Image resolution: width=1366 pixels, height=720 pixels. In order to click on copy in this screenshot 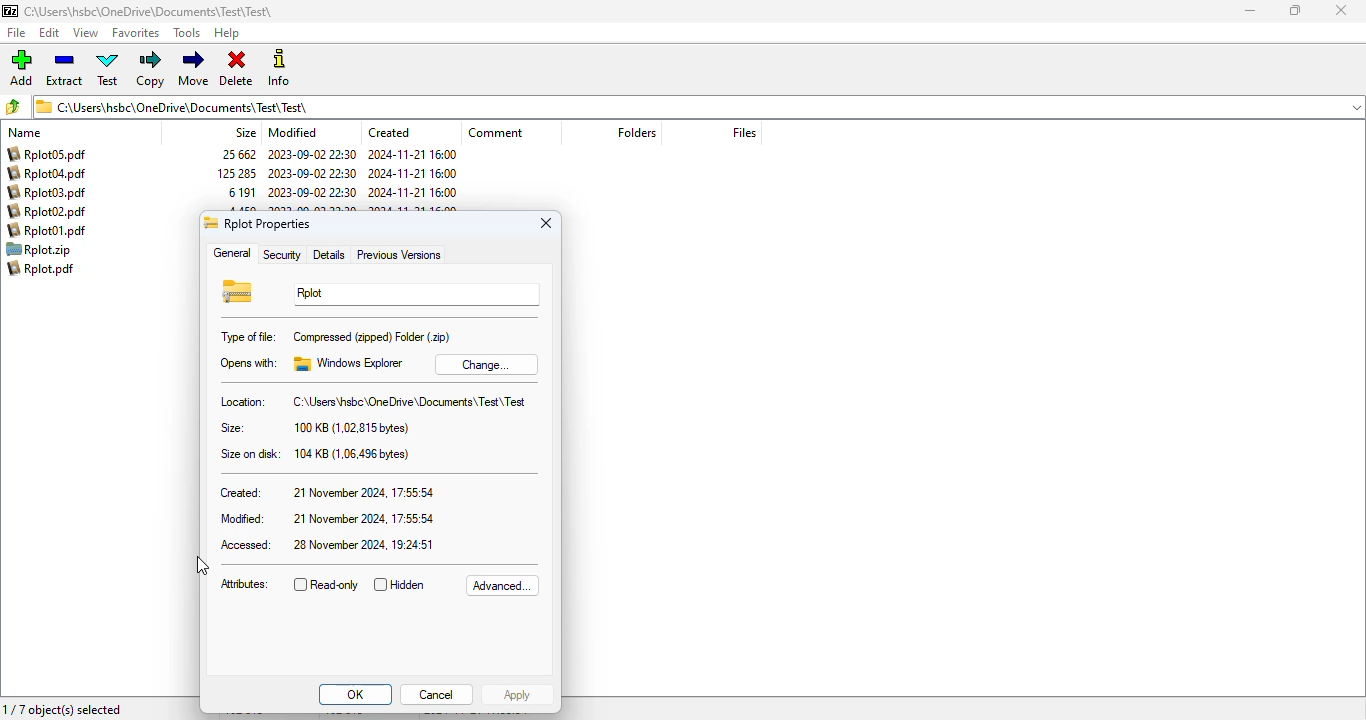, I will do `click(150, 69)`.